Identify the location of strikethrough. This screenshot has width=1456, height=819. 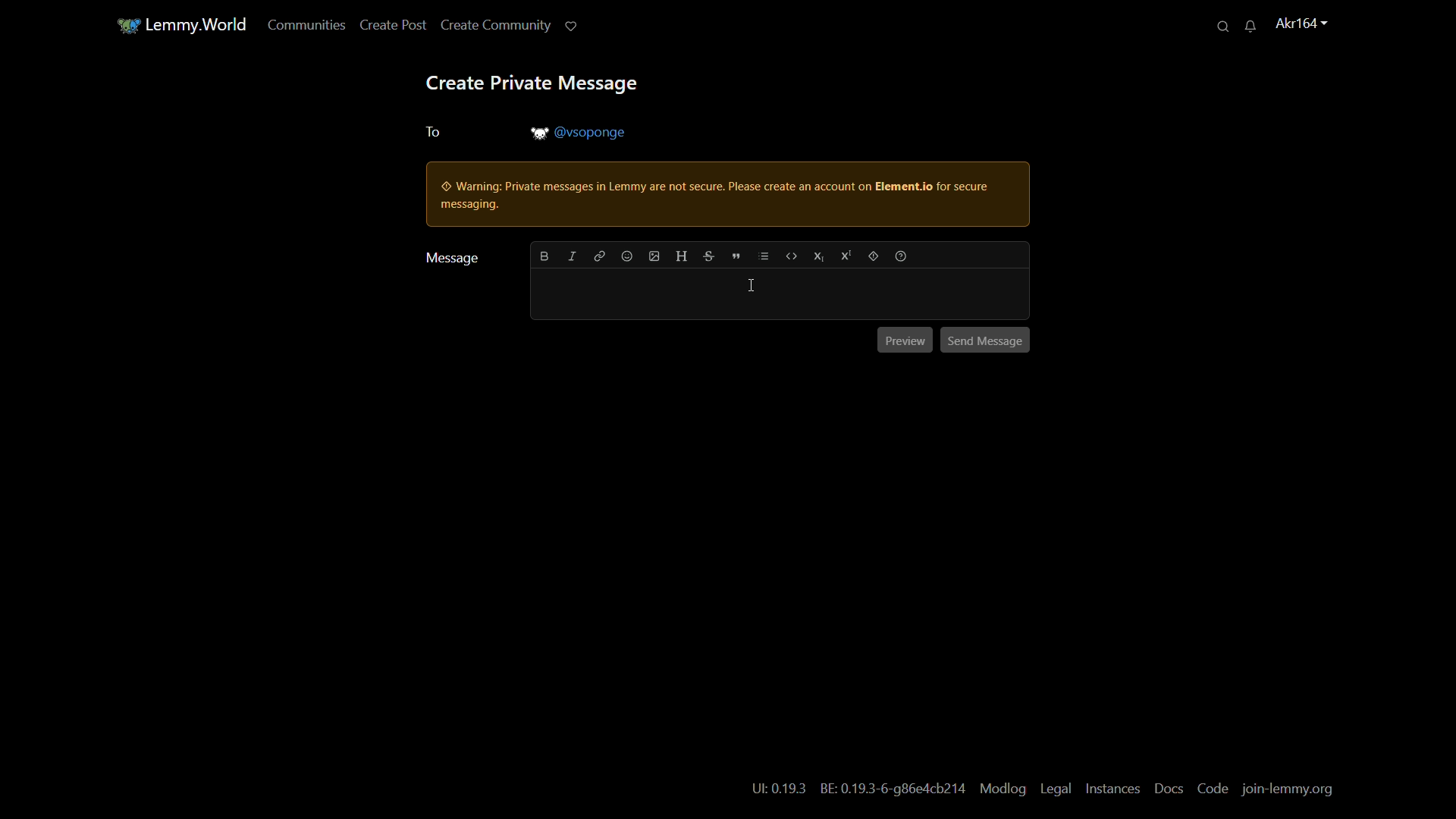
(707, 255).